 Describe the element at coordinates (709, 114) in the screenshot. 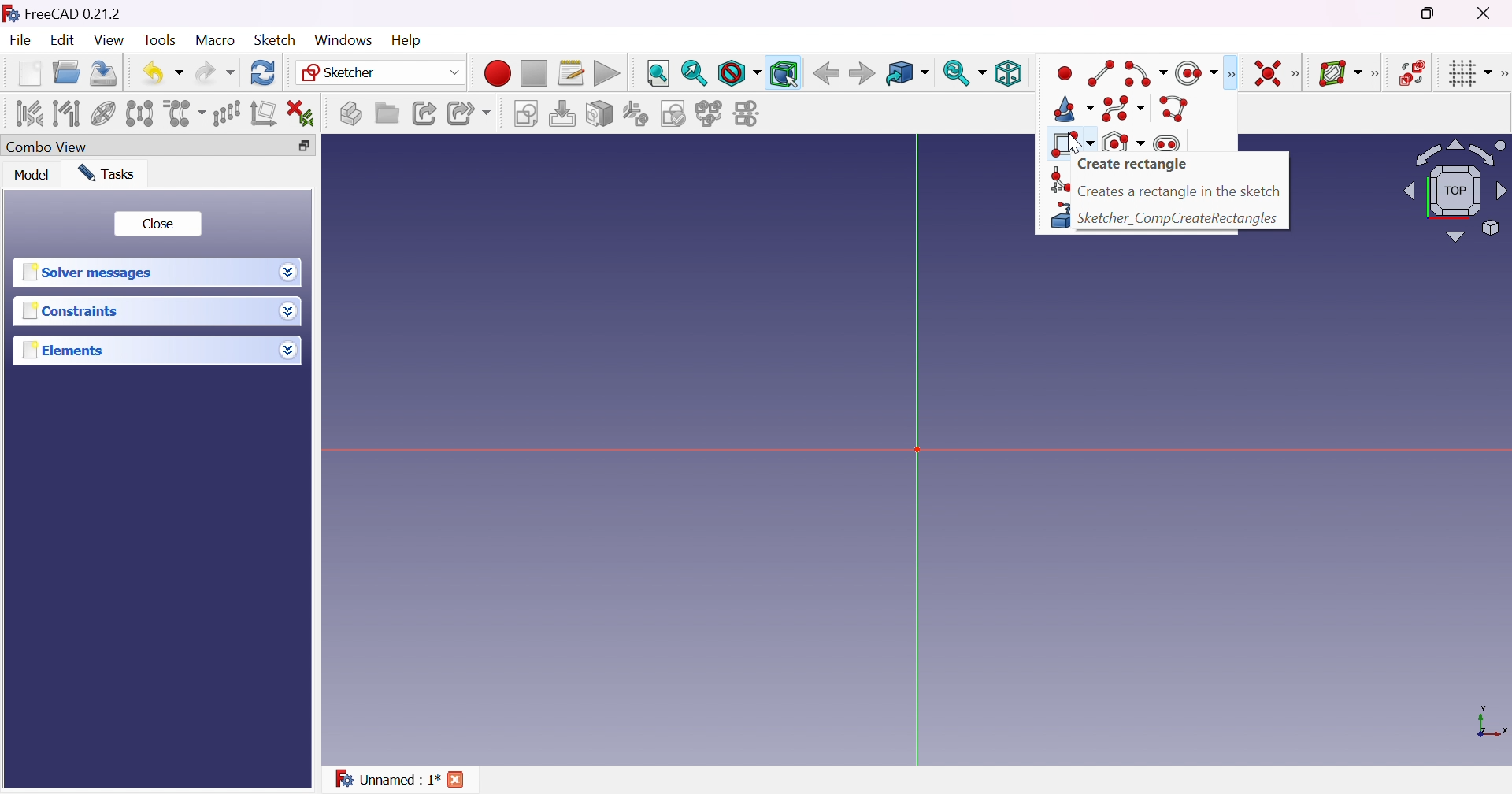

I see `Merge sketches` at that location.